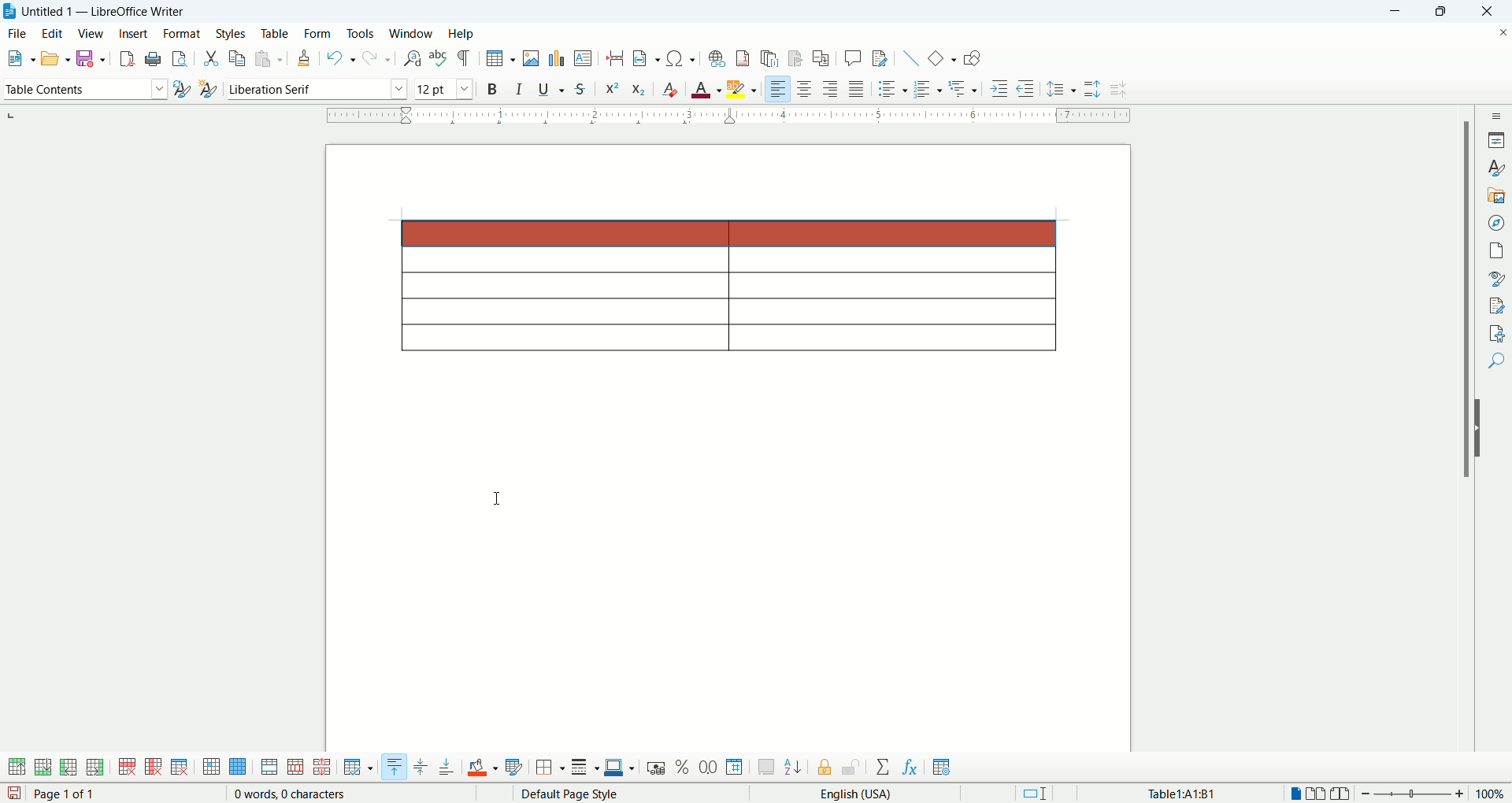 The image size is (1512, 803). What do you see at coordinates (1496, 115) in the screenshot?
I see `sidebar settings` at bounding box center [1496, 115].